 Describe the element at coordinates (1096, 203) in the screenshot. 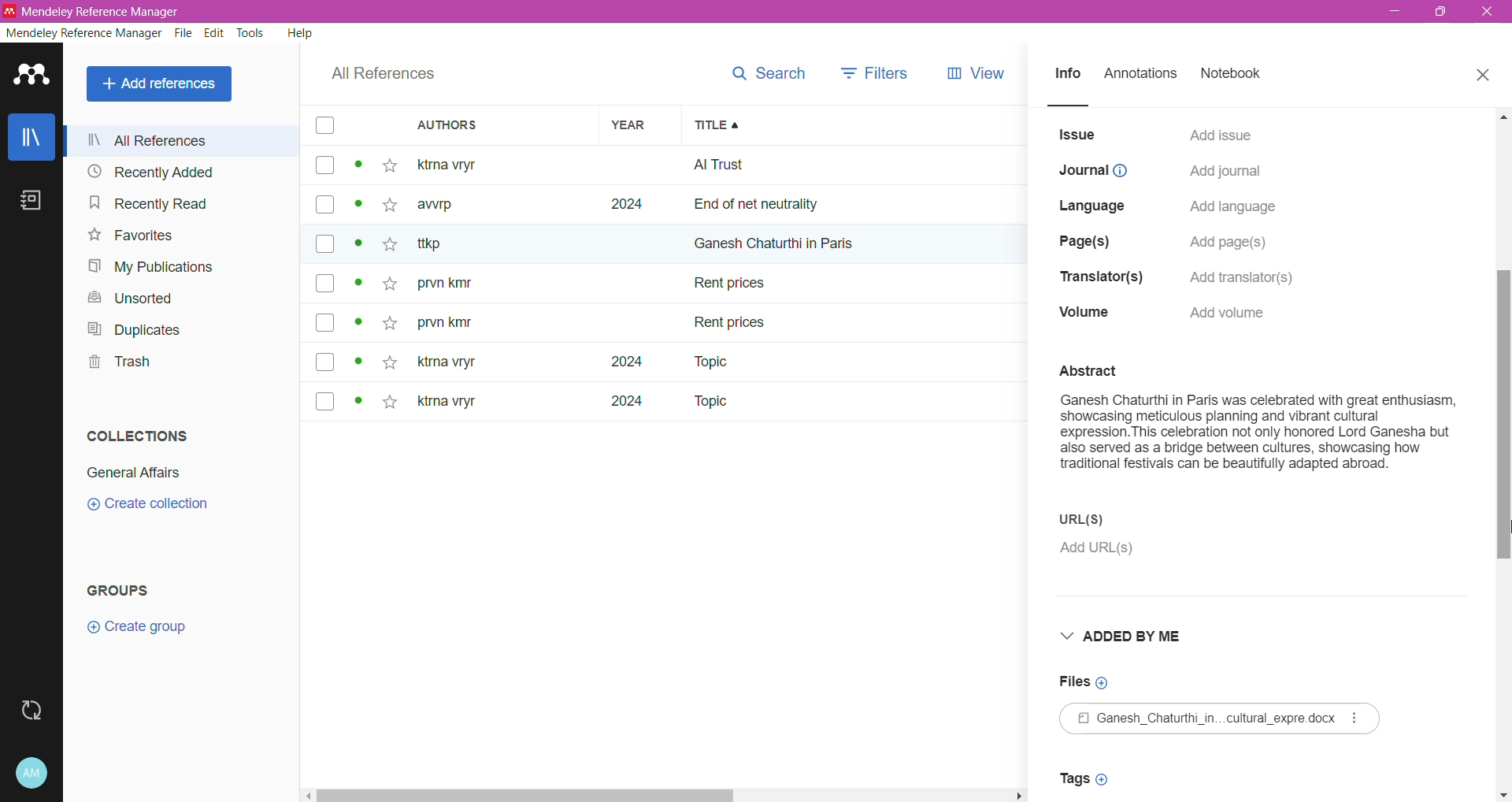

I see `Language` at that location.